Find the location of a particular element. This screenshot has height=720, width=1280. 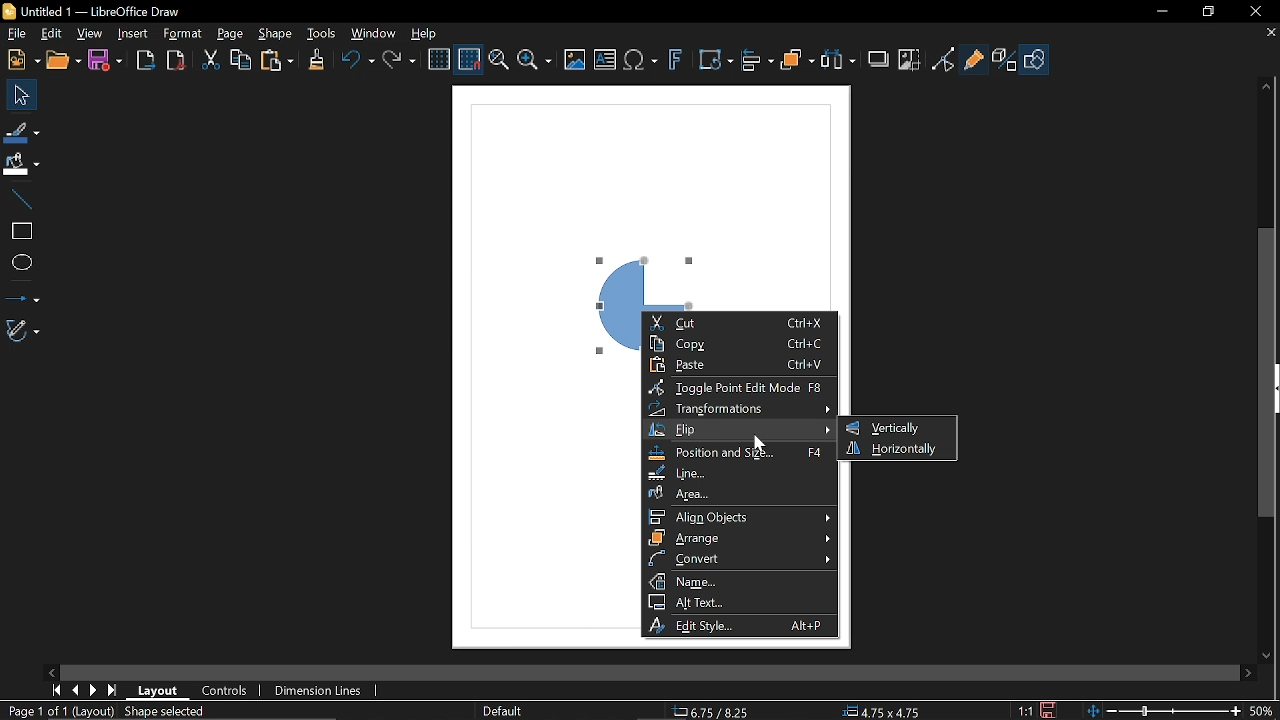

Toggle Point Edit Mode  F8 is located at coordinates (737, 388).